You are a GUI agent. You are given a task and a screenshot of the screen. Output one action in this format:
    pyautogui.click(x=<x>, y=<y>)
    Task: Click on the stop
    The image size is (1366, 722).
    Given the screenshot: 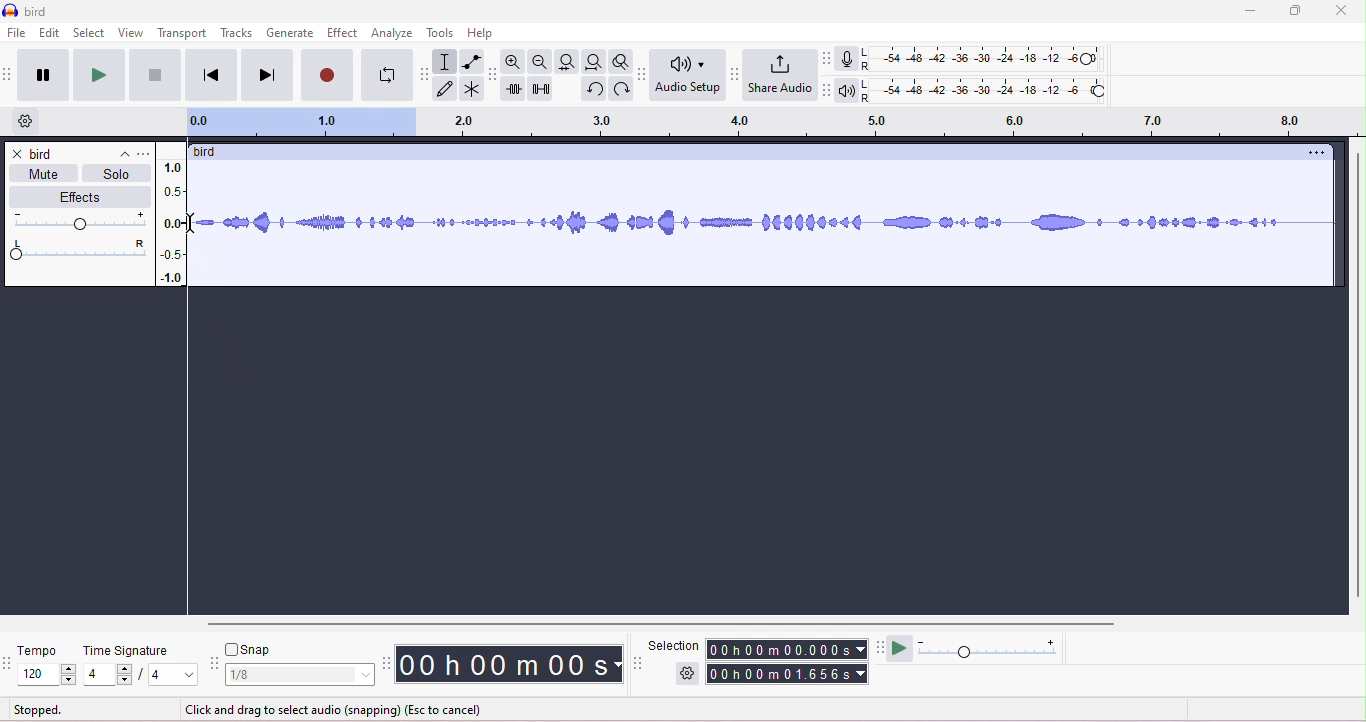 What is the action you would take?
    pyautogui.click(x=155, y=75)
    